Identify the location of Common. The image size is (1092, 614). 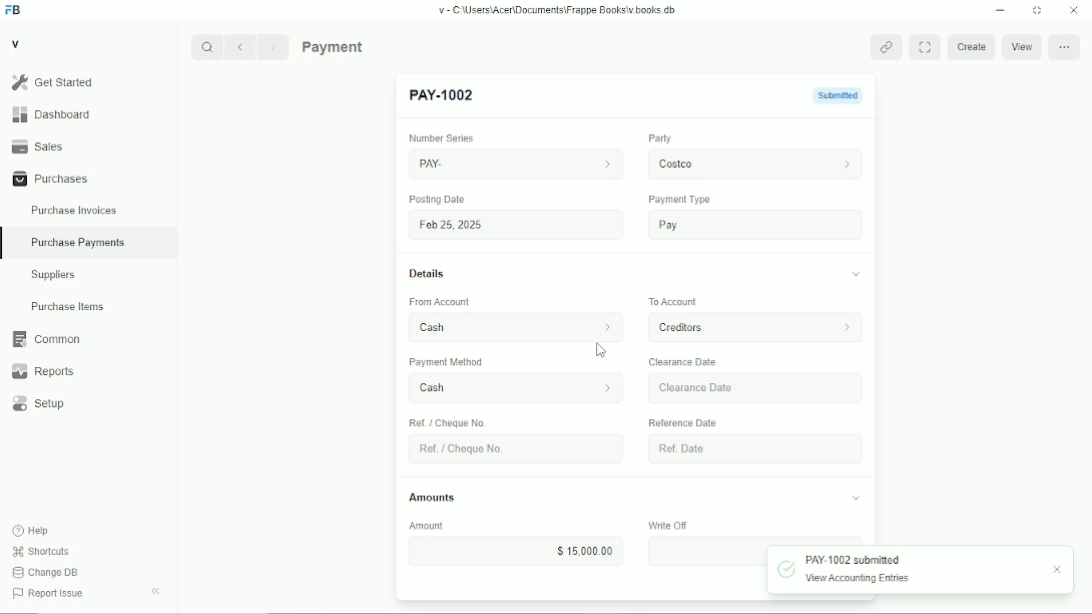
(89, 339).